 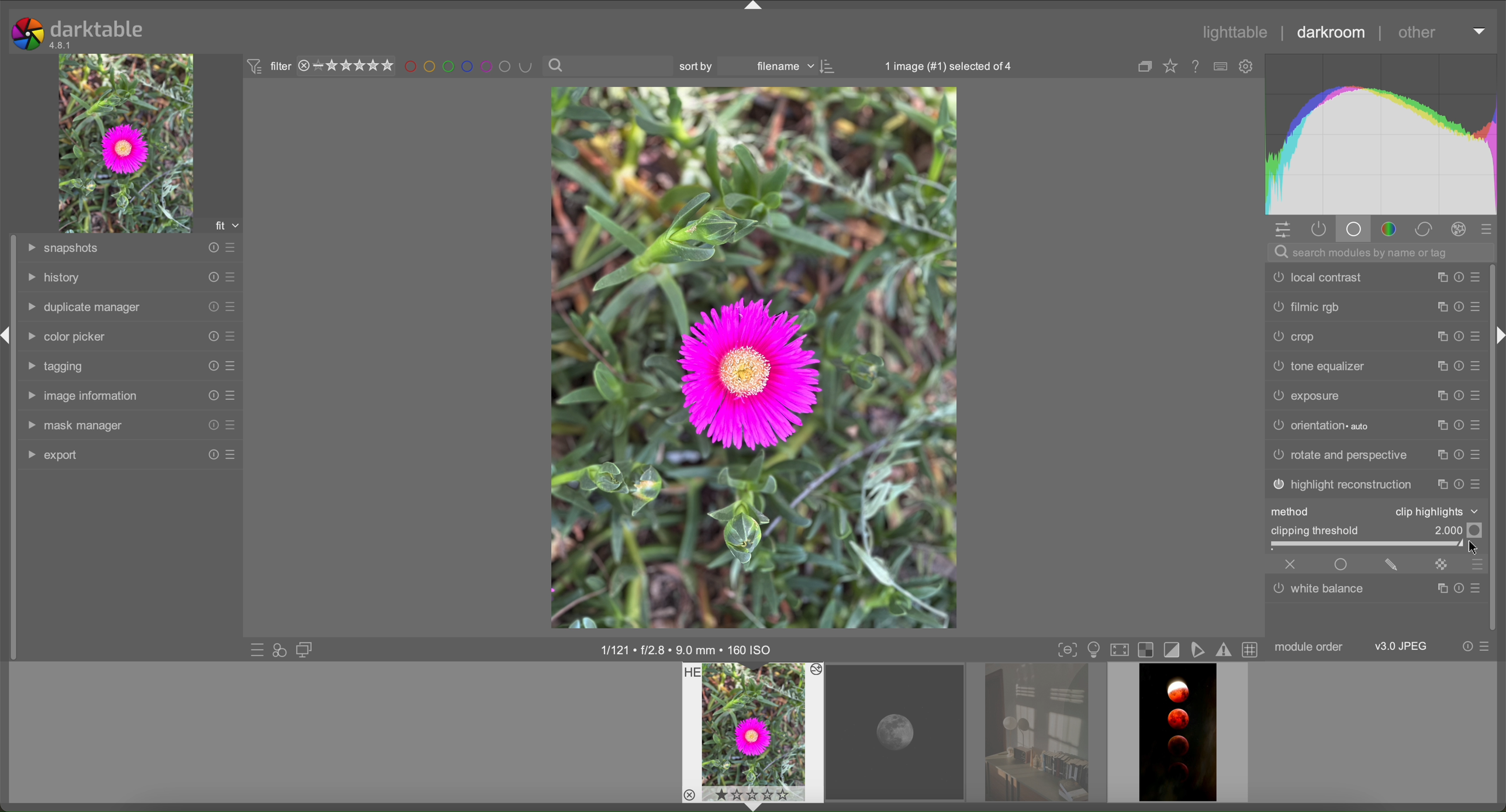 I want to click on reset presets, so click(x=210, y=395).